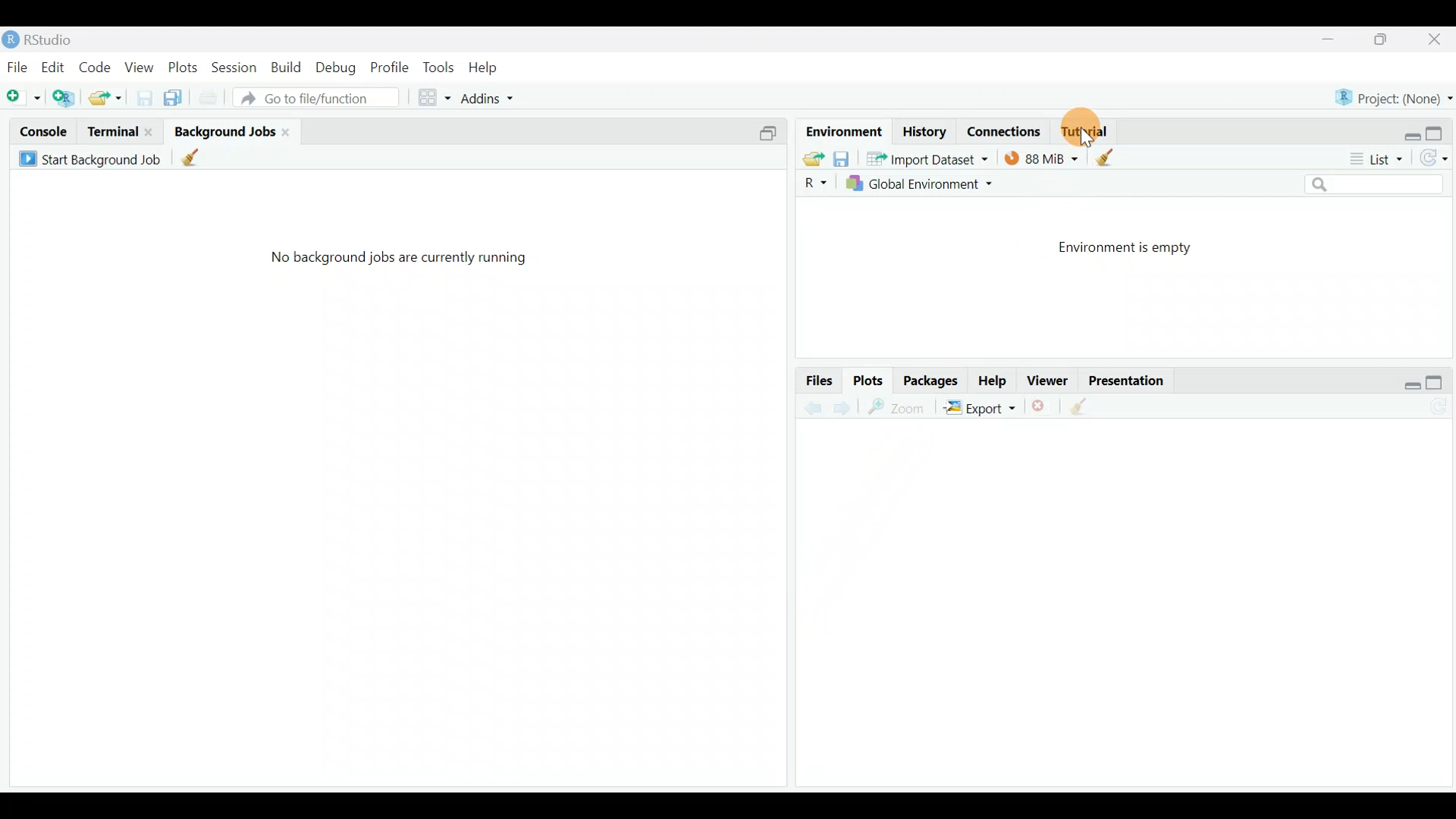  I want to click on restore down, so click(1405, 379).